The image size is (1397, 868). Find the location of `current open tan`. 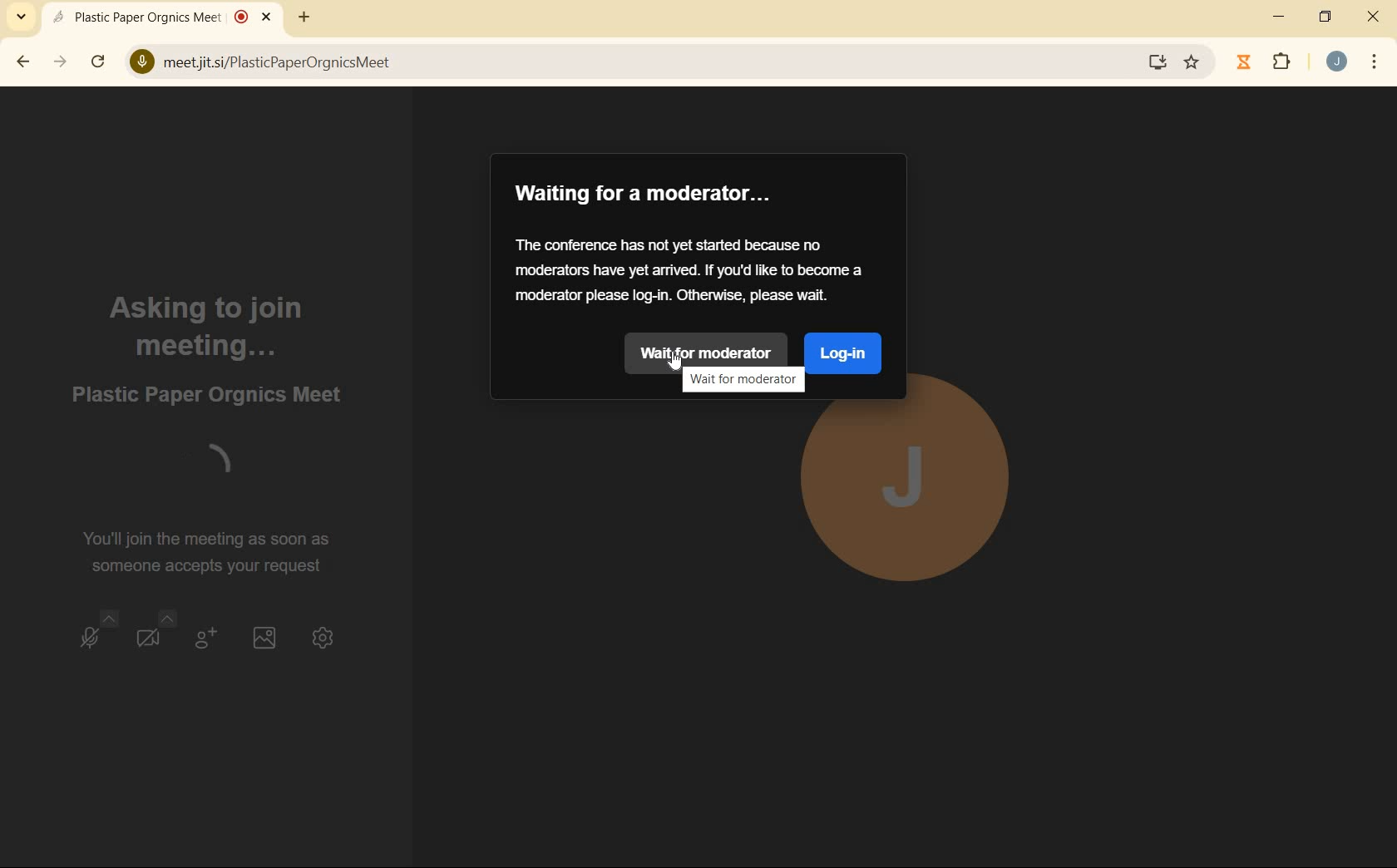

current open tan is located at coordinates (165, 17).